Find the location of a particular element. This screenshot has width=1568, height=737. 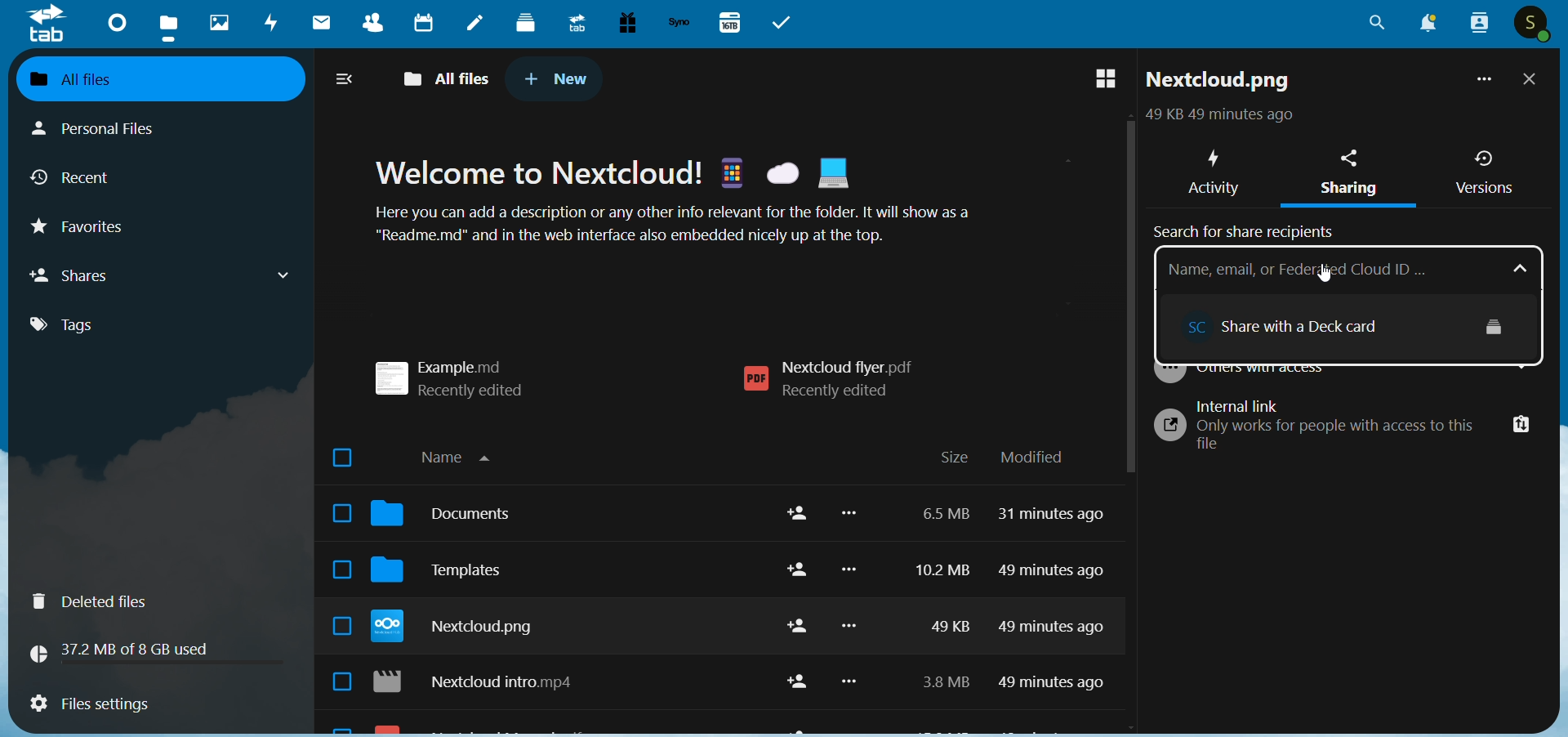

example is located at coordinates (461, 373).